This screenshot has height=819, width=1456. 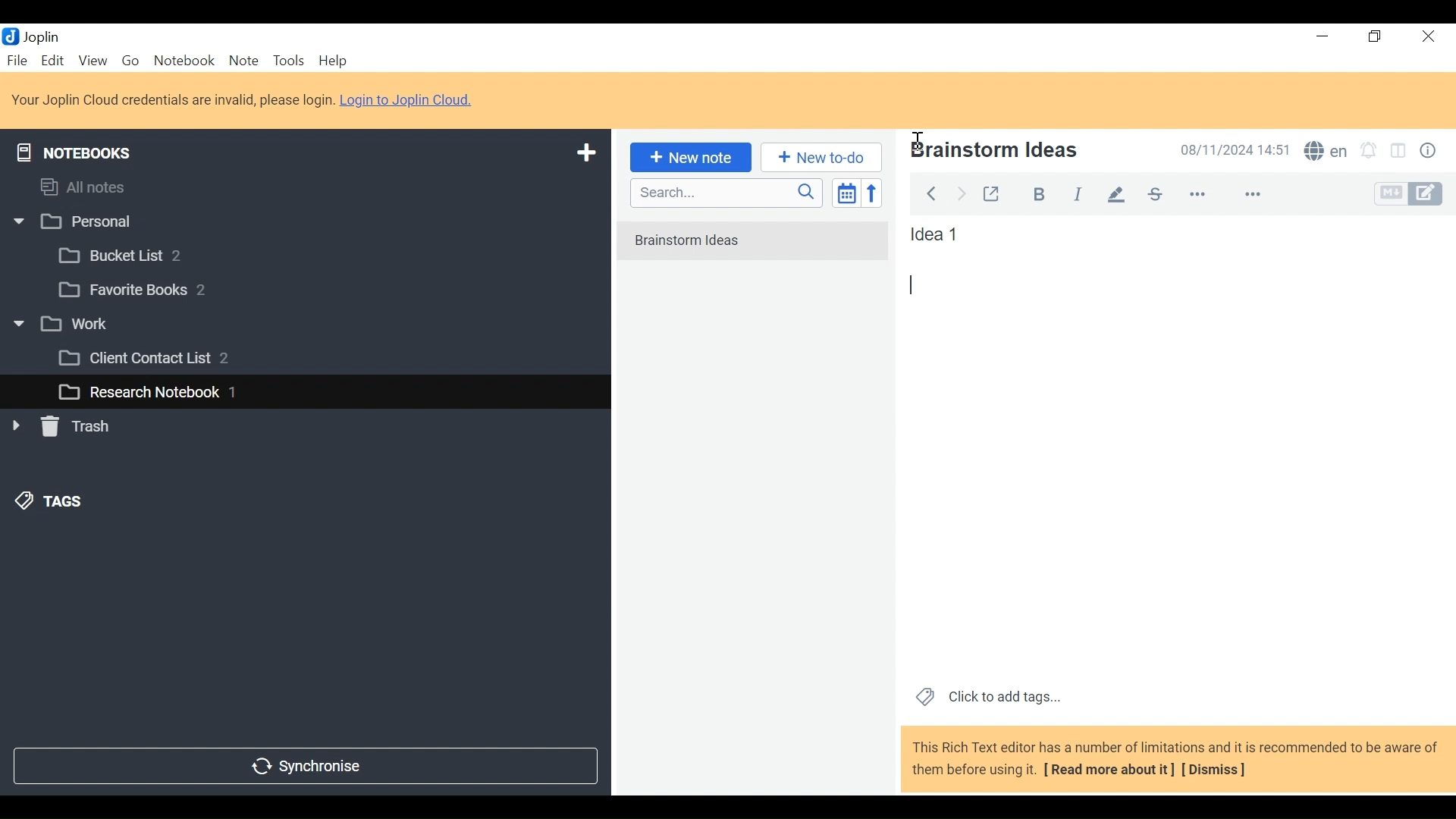 I want to click on note view, so click(x=937, y=234).